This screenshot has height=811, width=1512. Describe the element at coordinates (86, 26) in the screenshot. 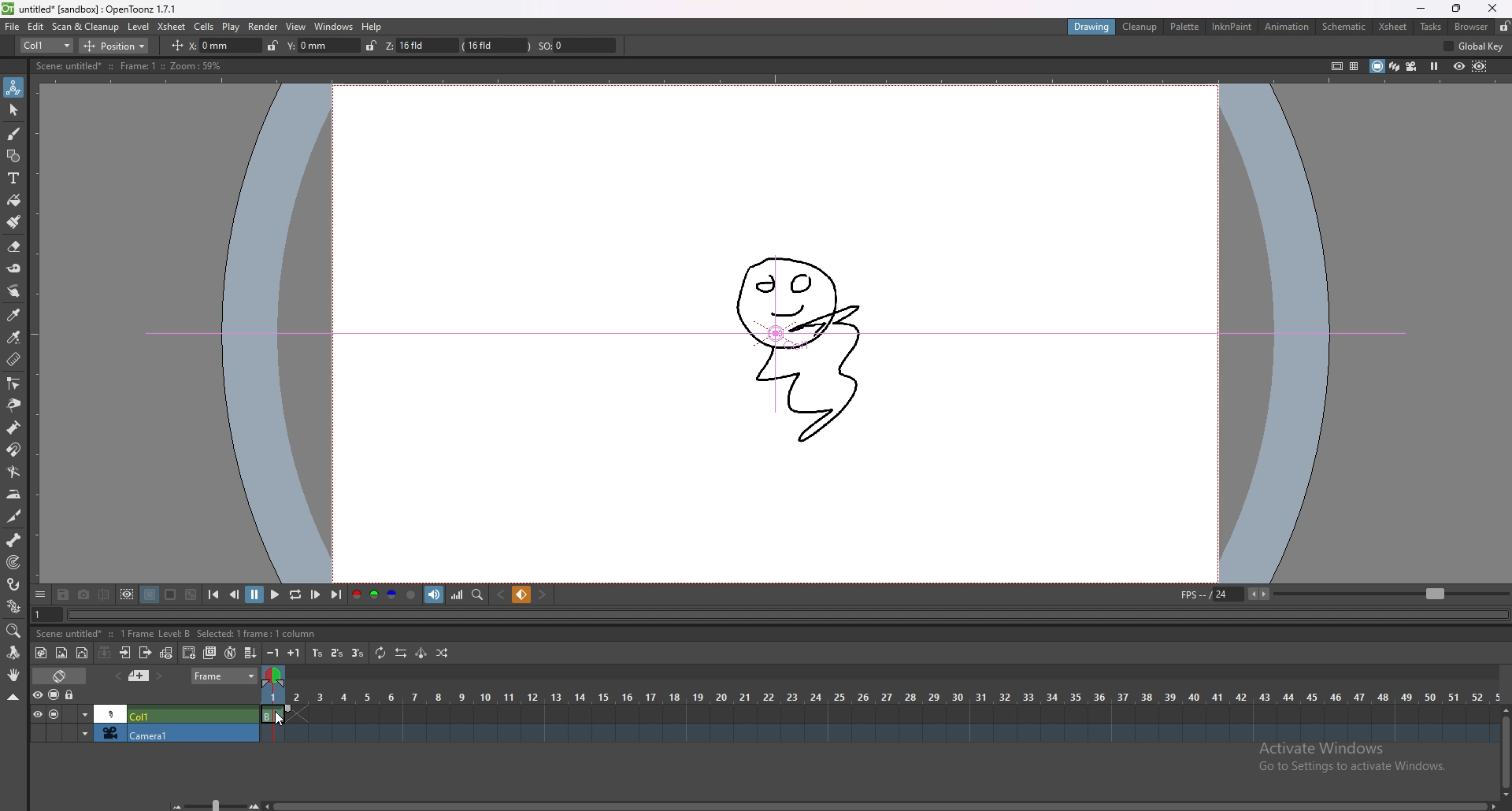

I see `scan and cleanup` at that location.